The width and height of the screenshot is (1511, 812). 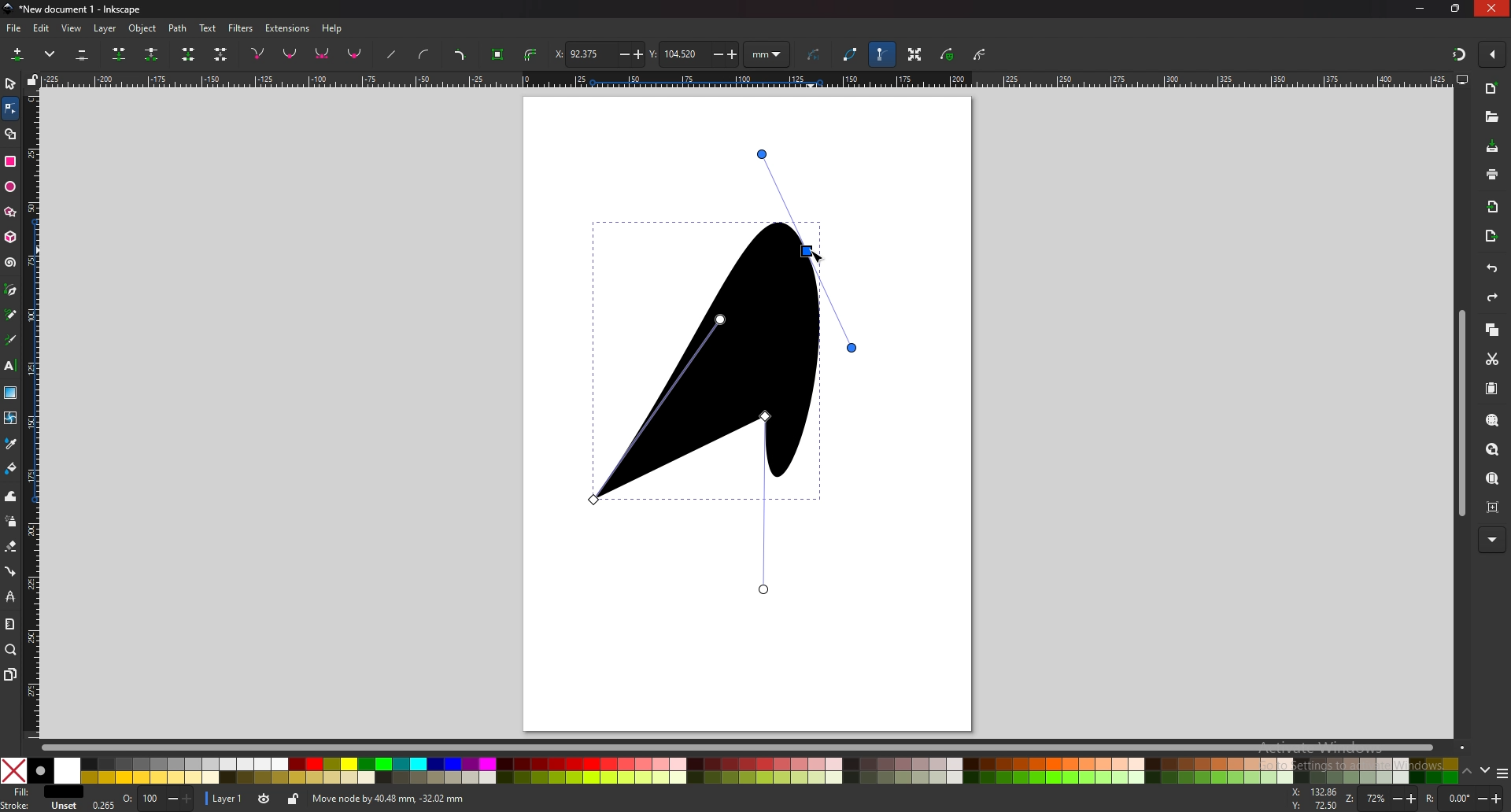 What do you see at coordinates (157, 799) in the screenshot?
I see `opacity` at bounding box center [157, 799].